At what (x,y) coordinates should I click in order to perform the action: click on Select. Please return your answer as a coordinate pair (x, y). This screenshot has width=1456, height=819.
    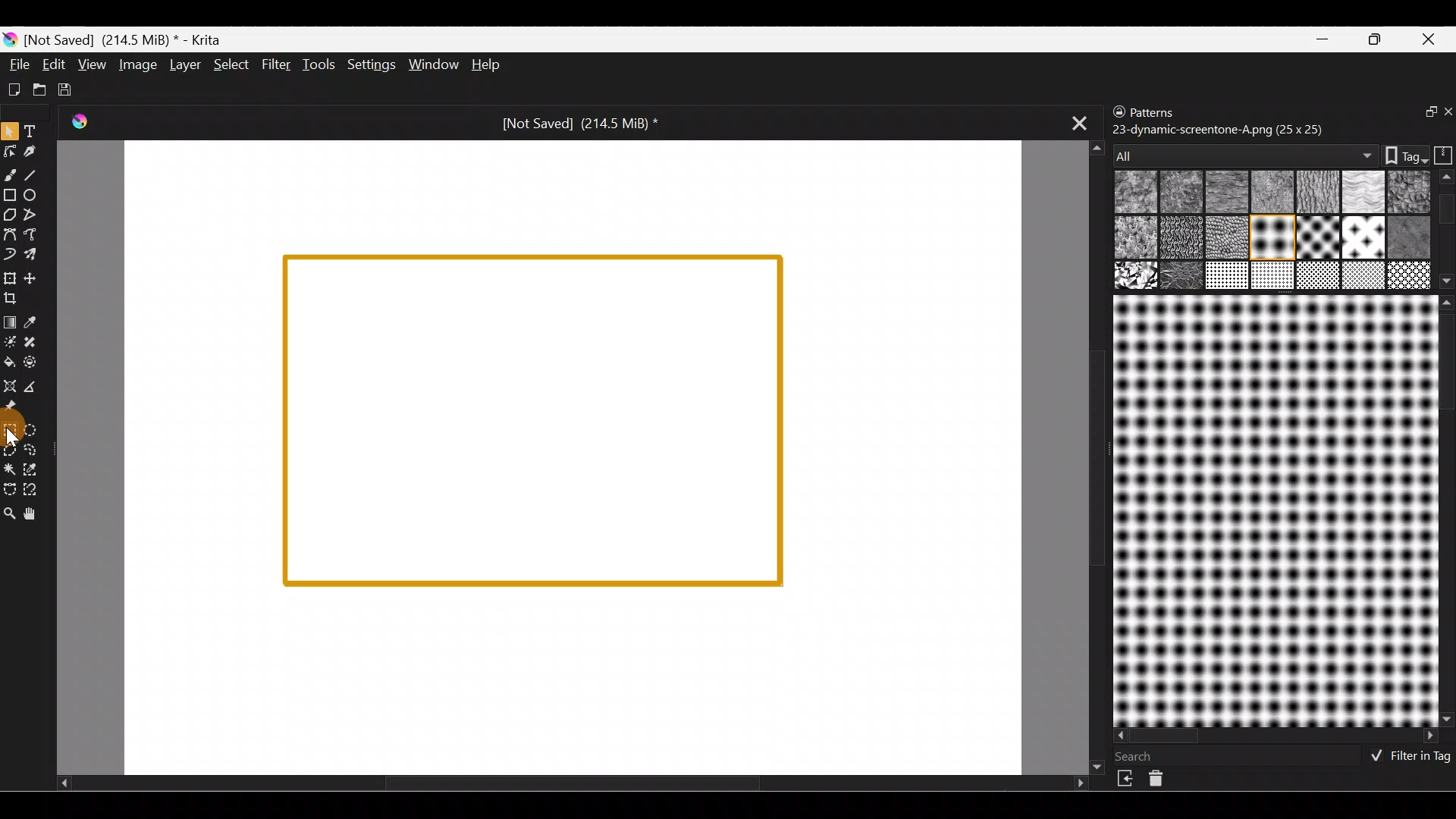
    Looking at the image, I should click on (232, 67).